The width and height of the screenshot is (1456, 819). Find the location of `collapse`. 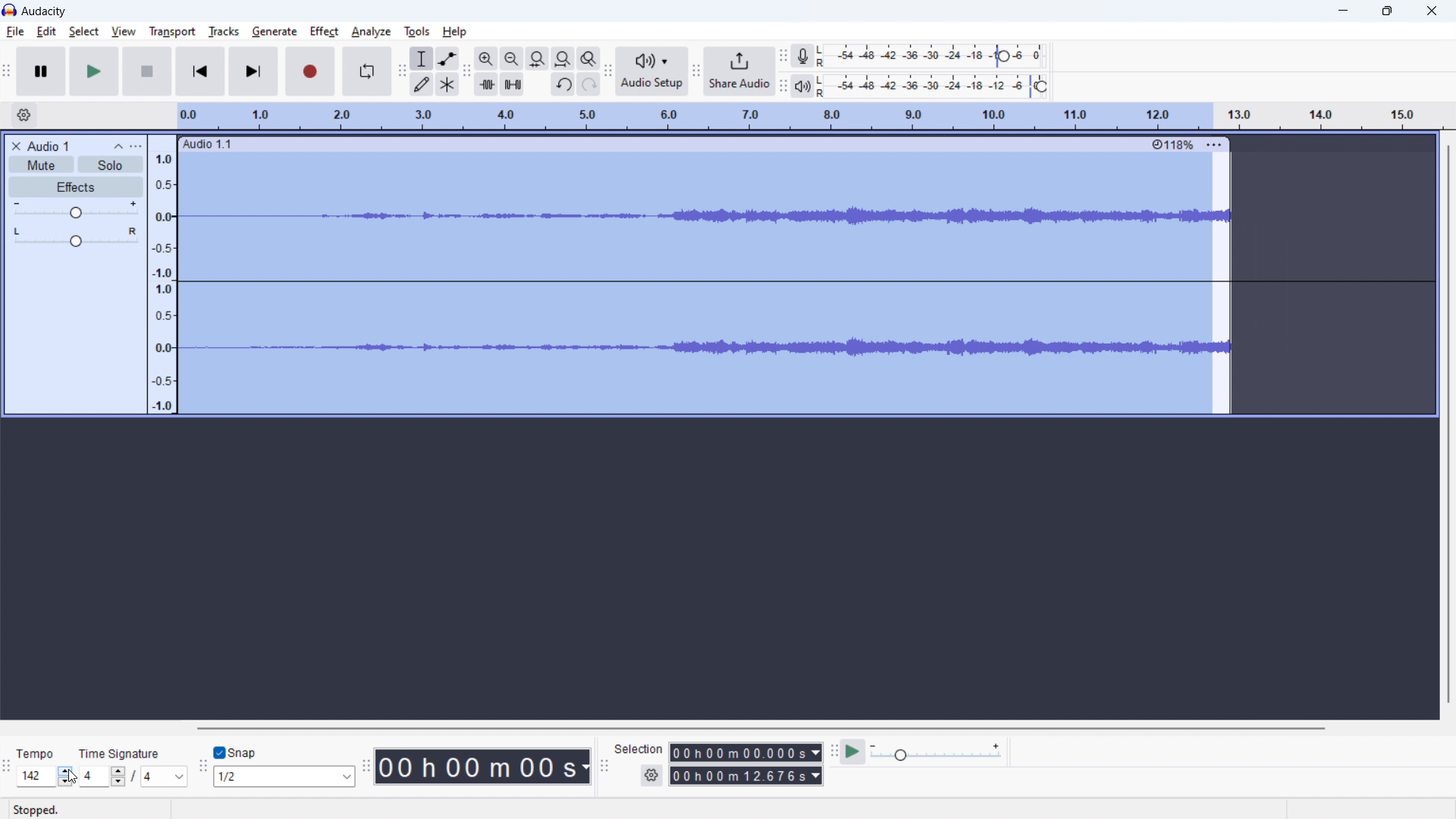

collapse is located at coordinates (118, 145).